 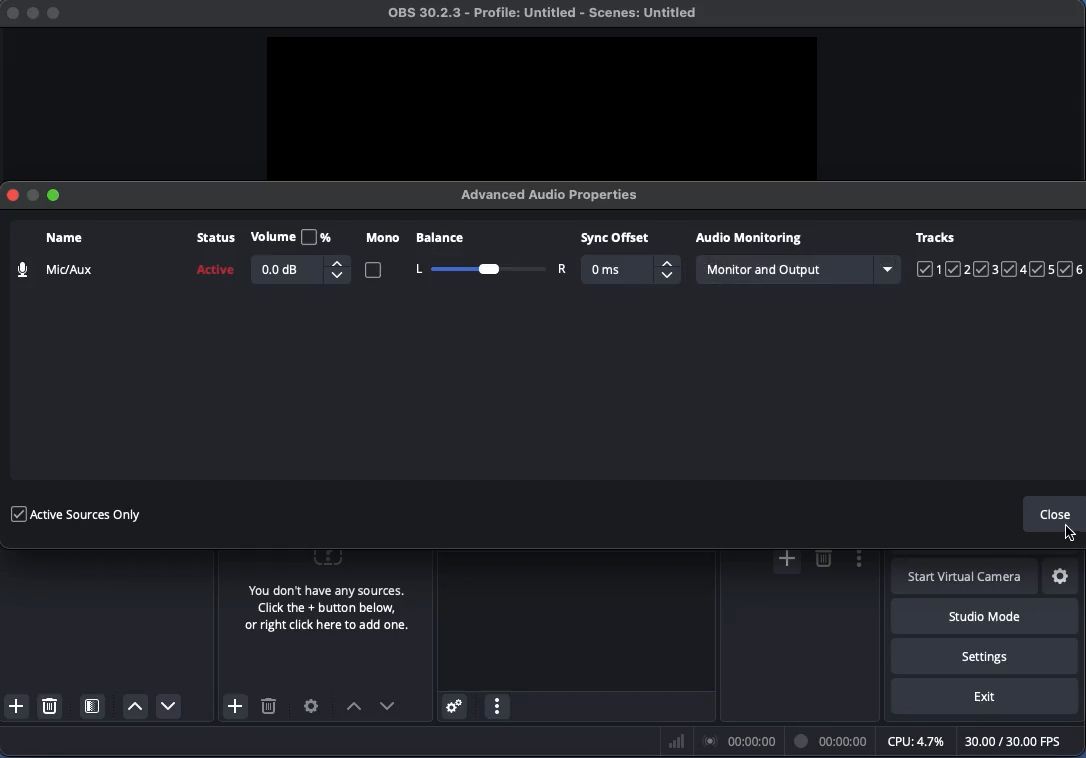 I want to click on Monitor and output, so click(x=798, y=272).